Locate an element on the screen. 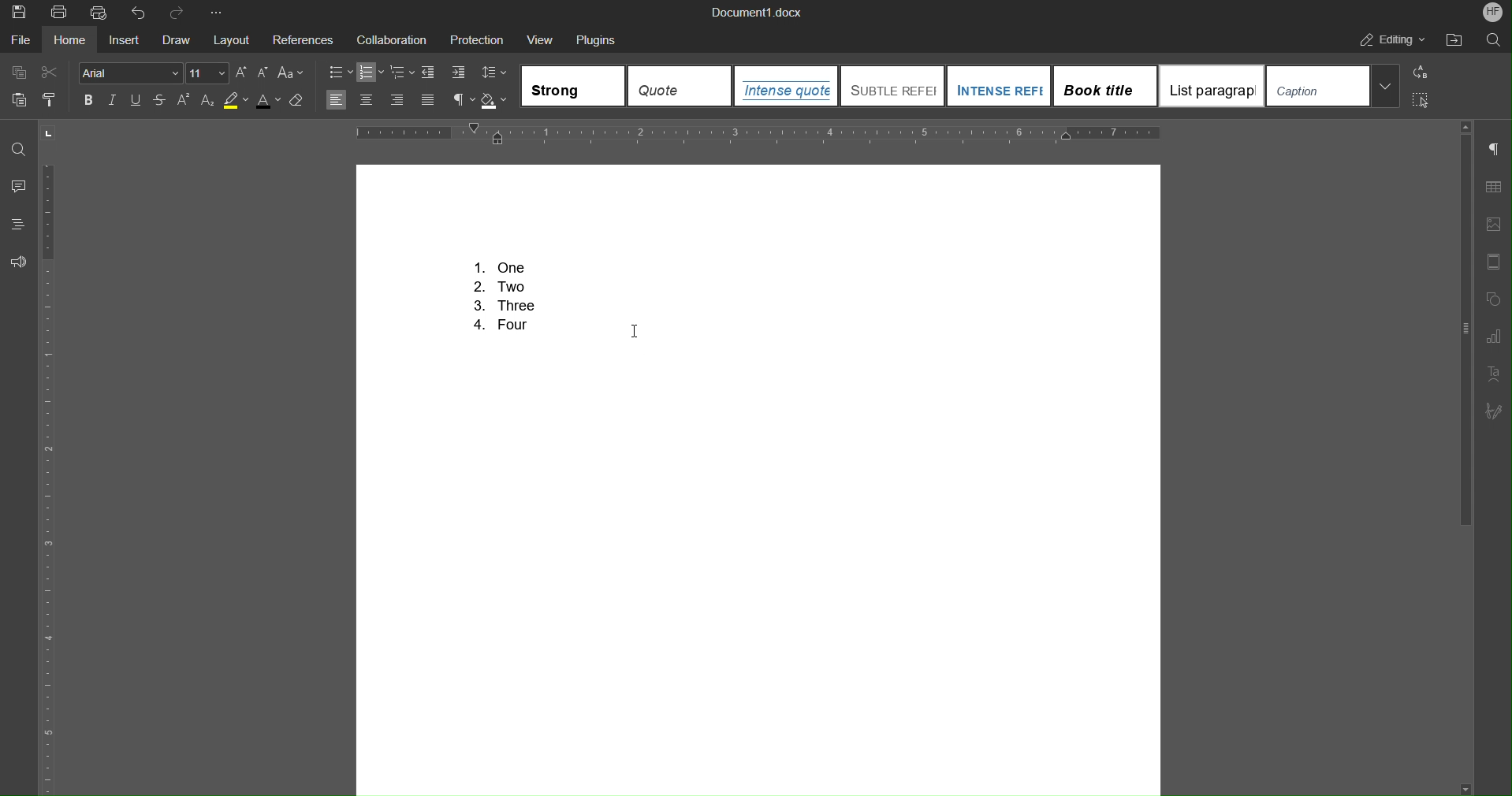 The height and width of the screenshot is (796, 1512). Line Spacing is located at coordinates (495, 73).